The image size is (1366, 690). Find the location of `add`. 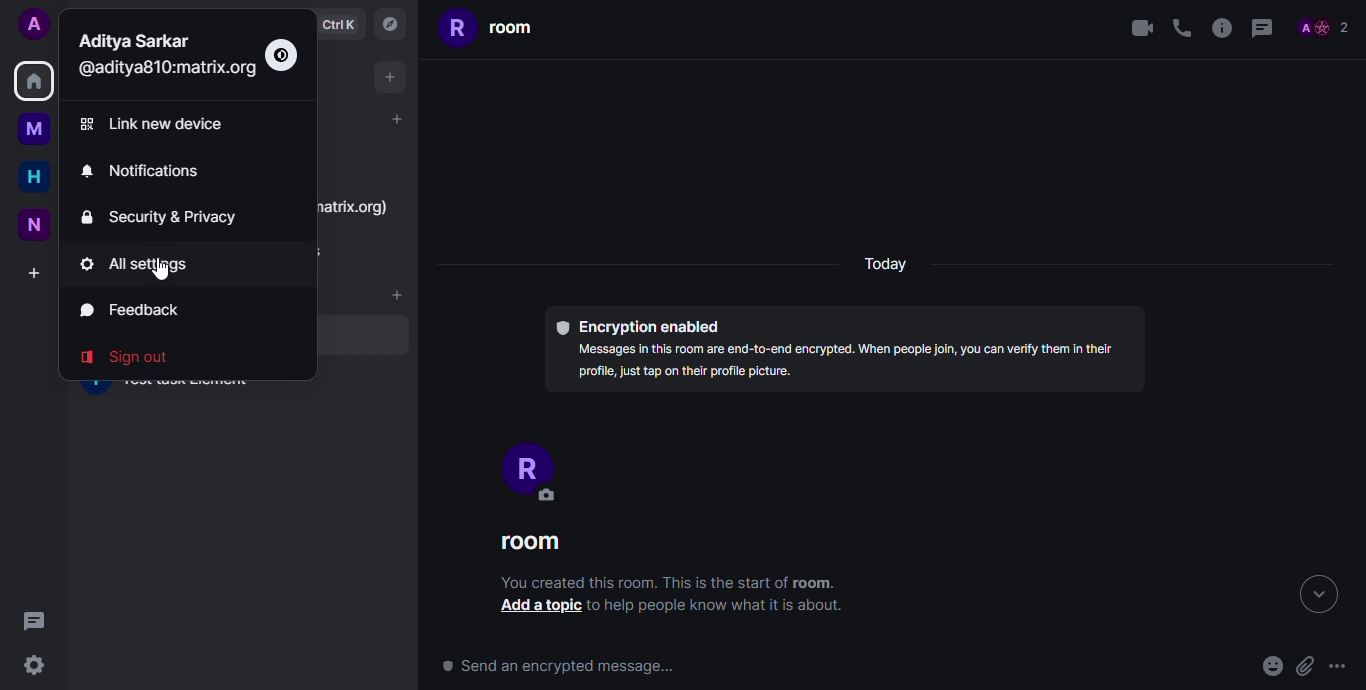

add is located at coordinates (390, 75).